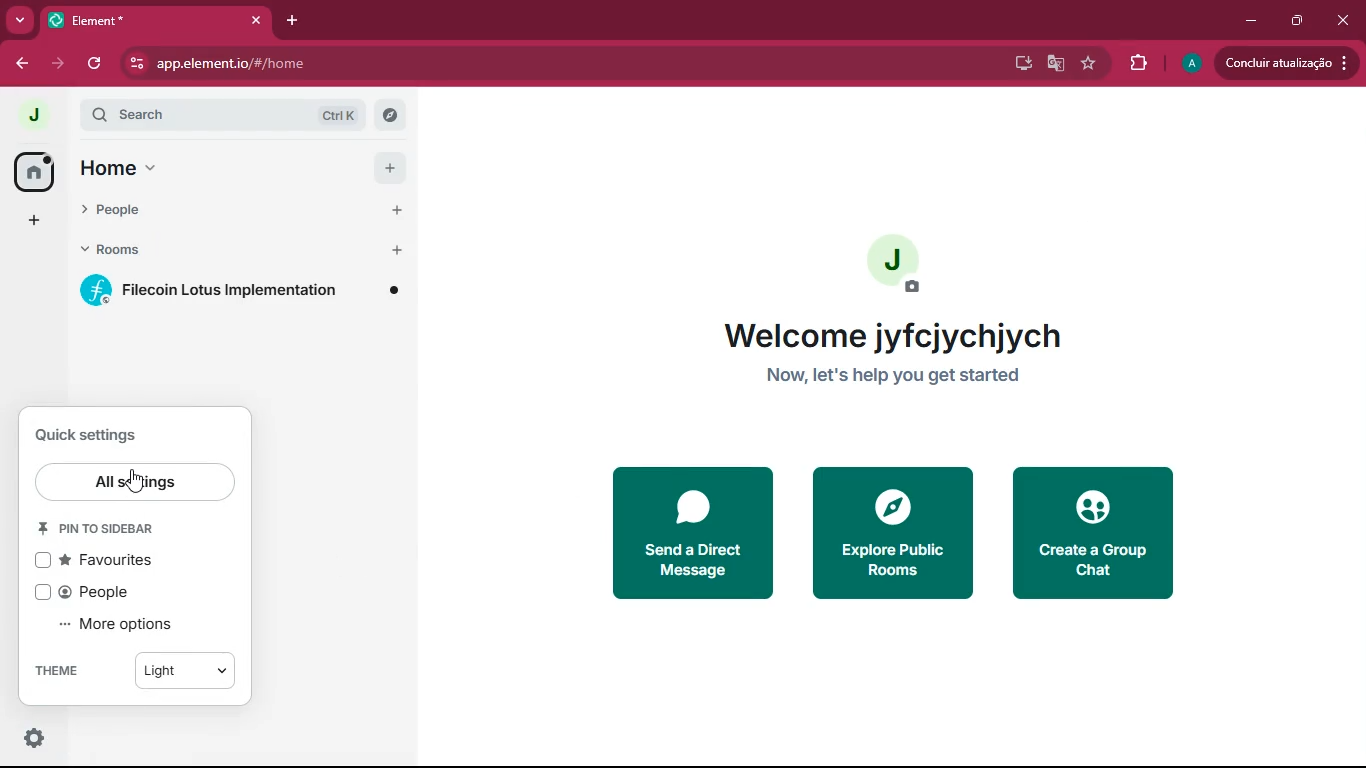 The width and height of the screenshot is (1366, 768). Describe the element at coordinates (158, 21) in the screenshot. I see `element tab` at that location.